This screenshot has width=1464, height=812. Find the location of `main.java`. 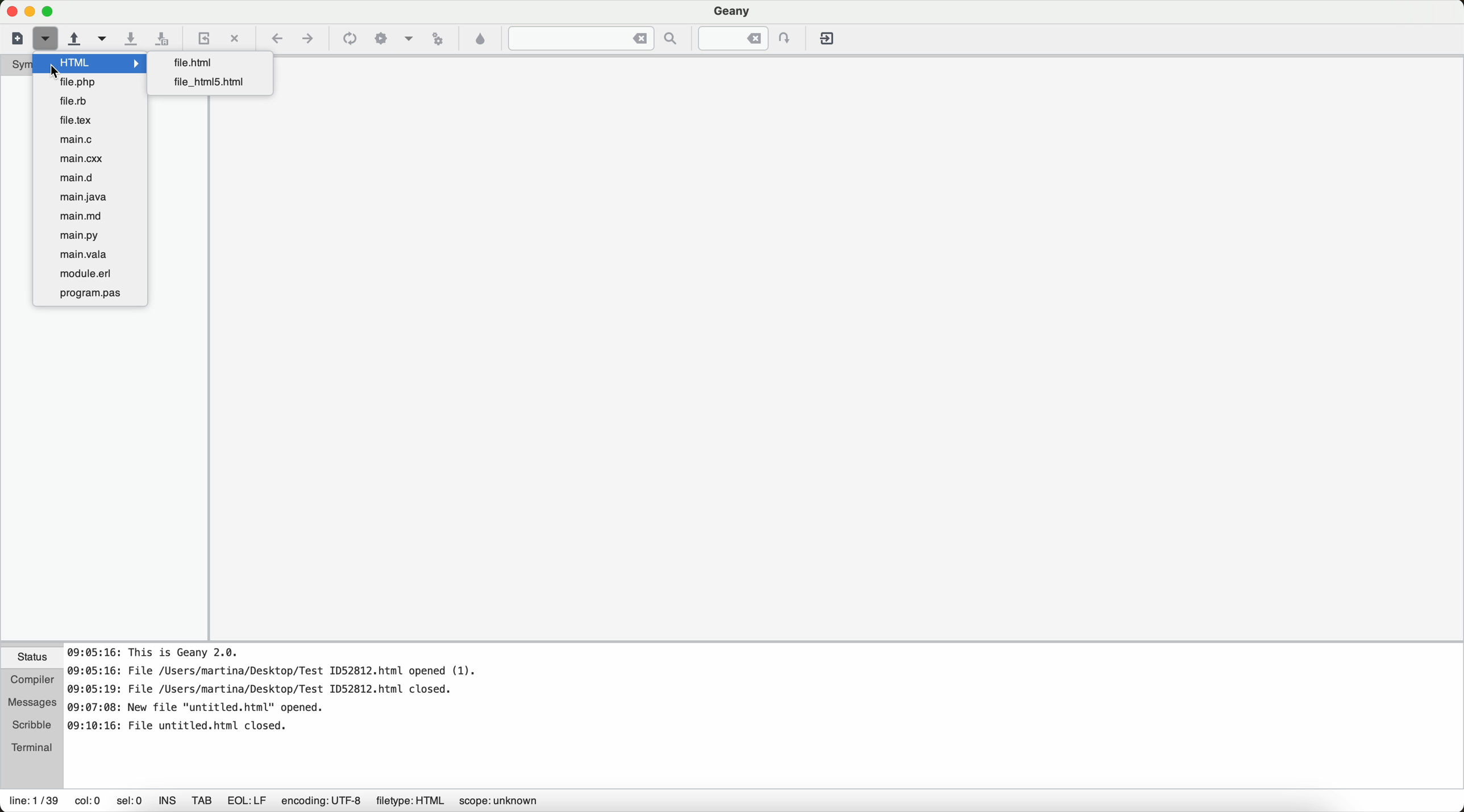

main.java is located at coordinates (90, 197).